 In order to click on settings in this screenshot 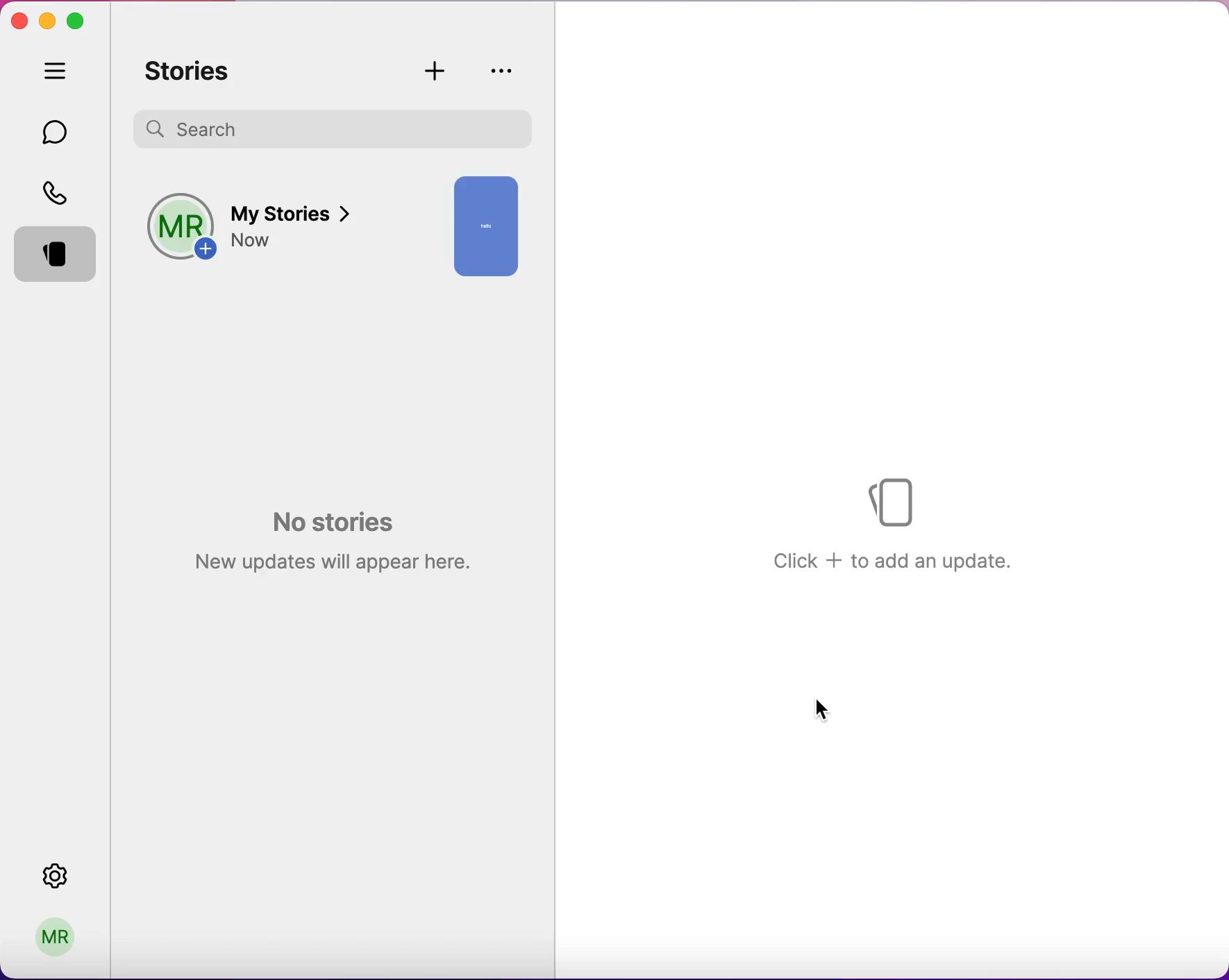, I will do `click(69, 876)`.